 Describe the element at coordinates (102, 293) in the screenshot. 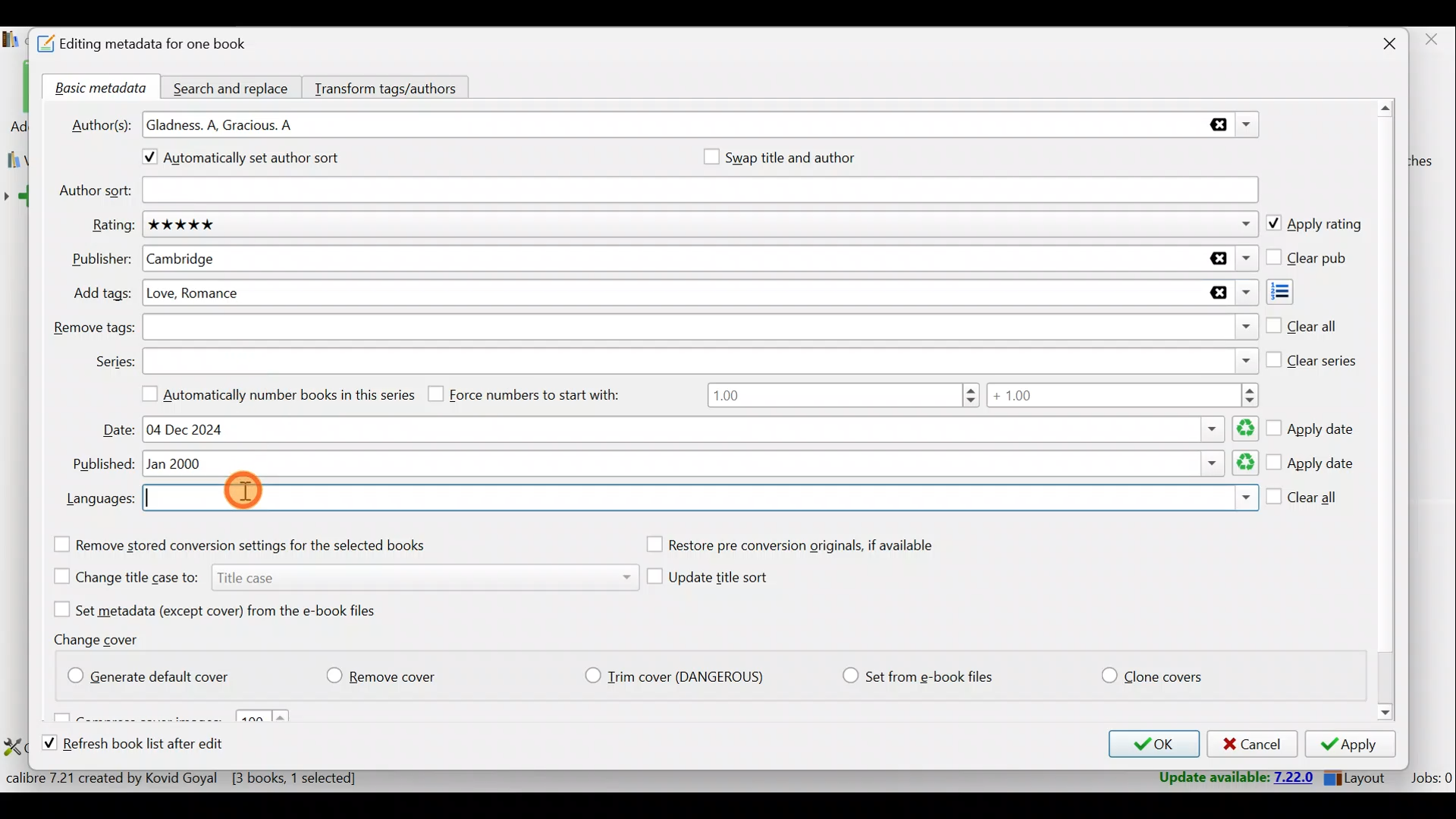

I see `Add tags:` at that location.